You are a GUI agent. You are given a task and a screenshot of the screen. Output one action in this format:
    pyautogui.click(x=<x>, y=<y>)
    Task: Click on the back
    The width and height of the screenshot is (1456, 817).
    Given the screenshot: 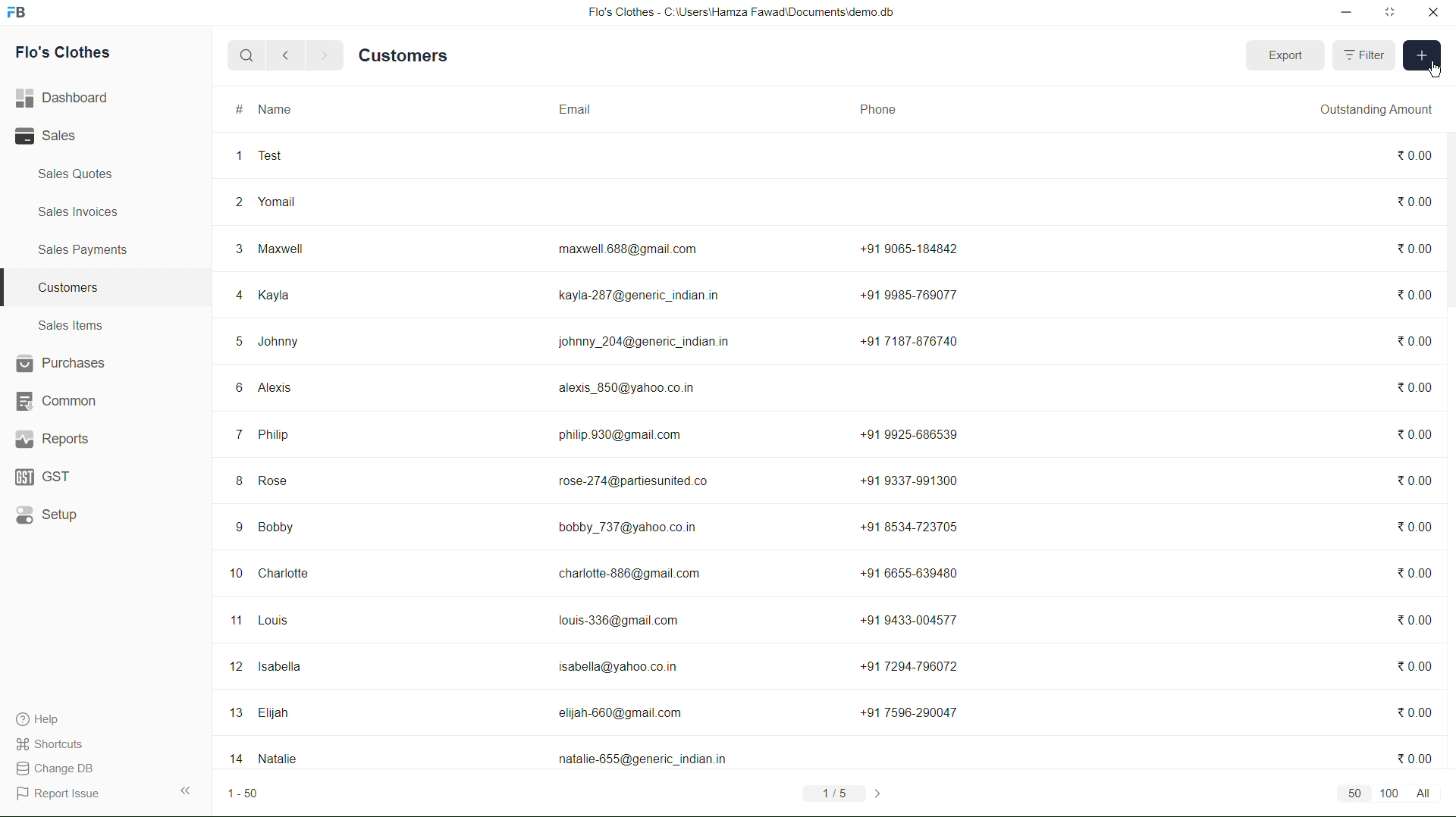 What is the action you would take?
    pyautogui.click(x=290, y=56)
    